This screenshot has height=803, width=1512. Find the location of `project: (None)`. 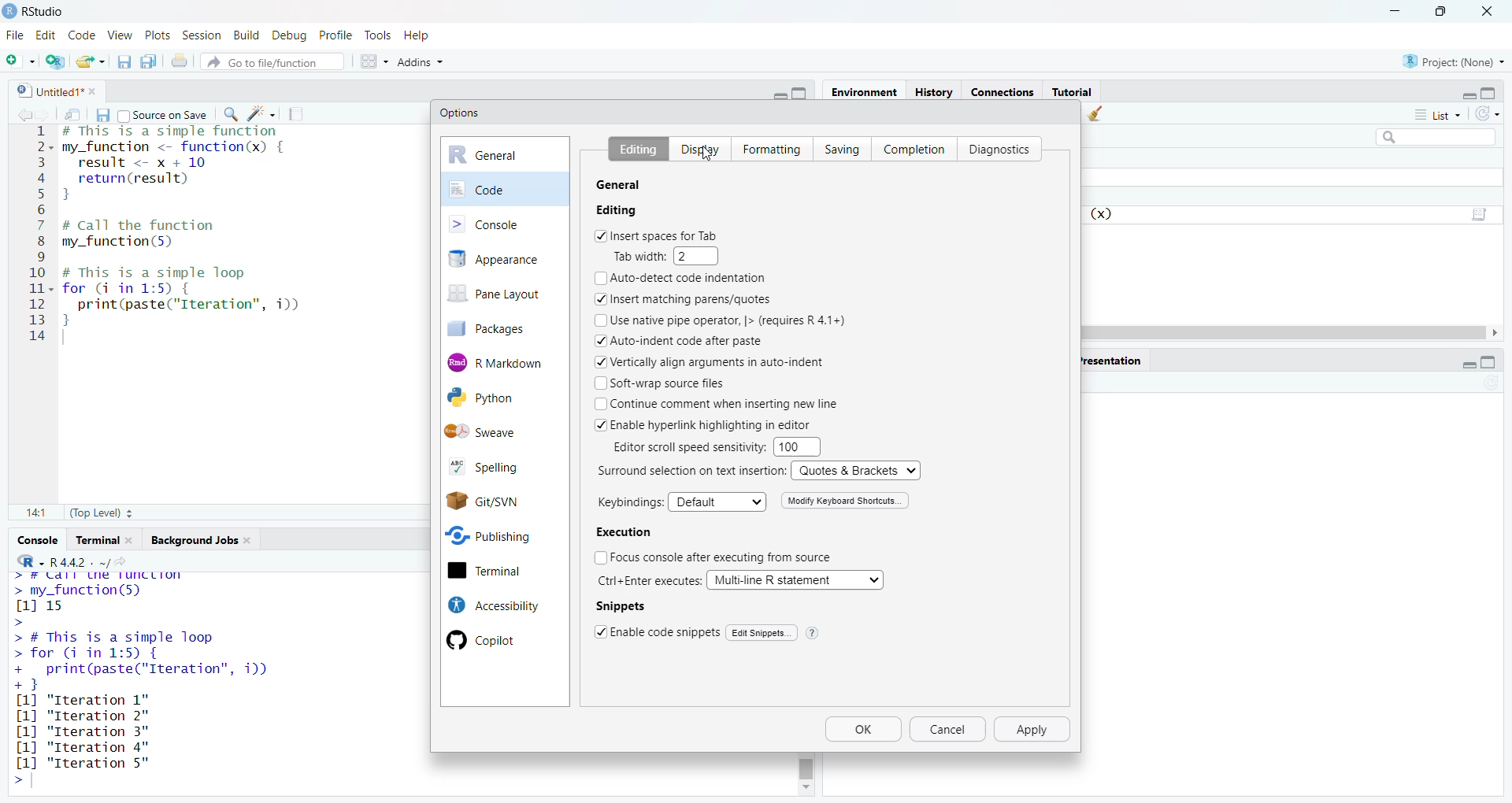

project: (None) is located at coordinates (1455, 62).